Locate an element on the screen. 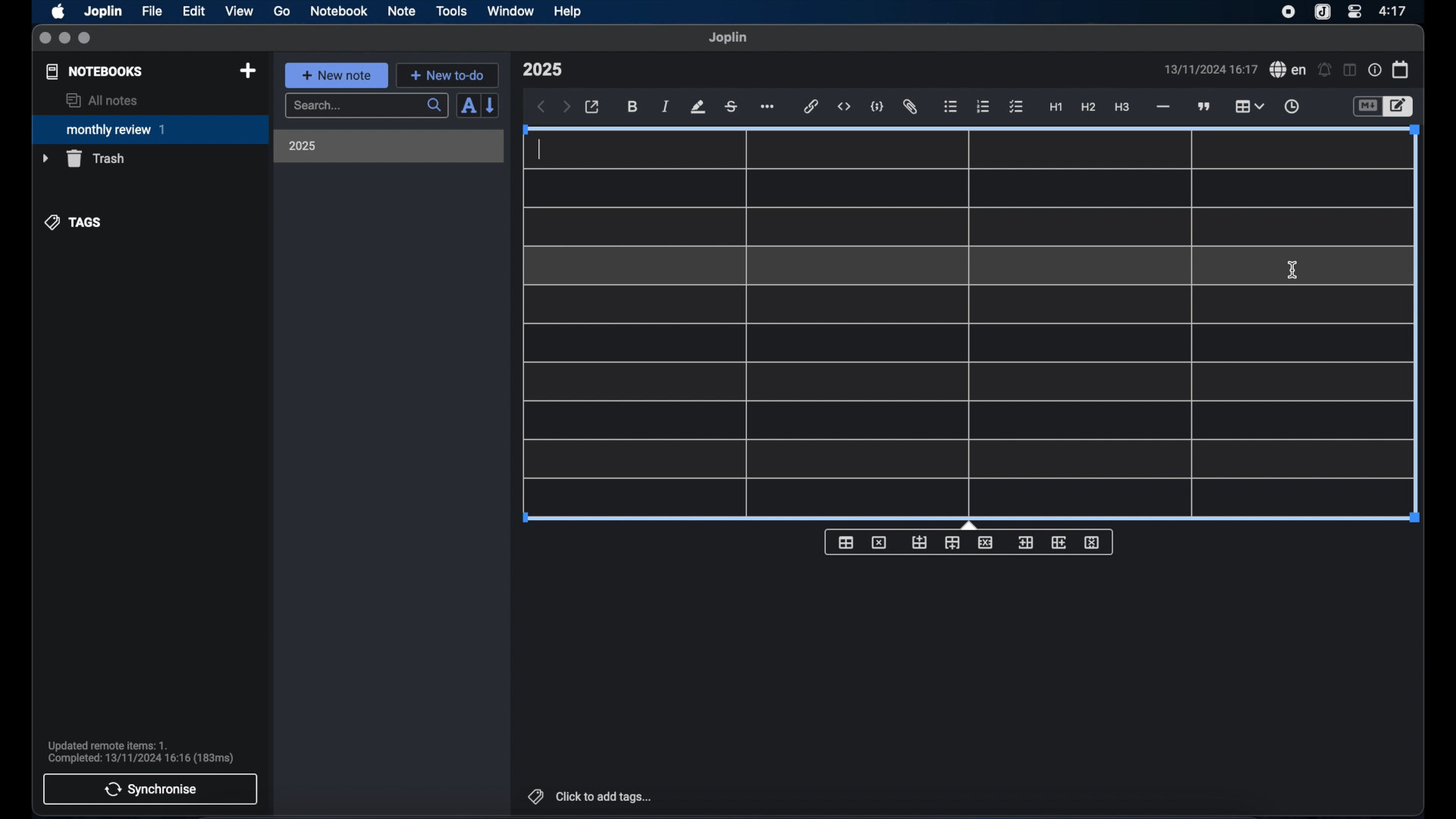 This screenshot has height=819, width=1456. block quotes is located at coordinates (1205, 107).